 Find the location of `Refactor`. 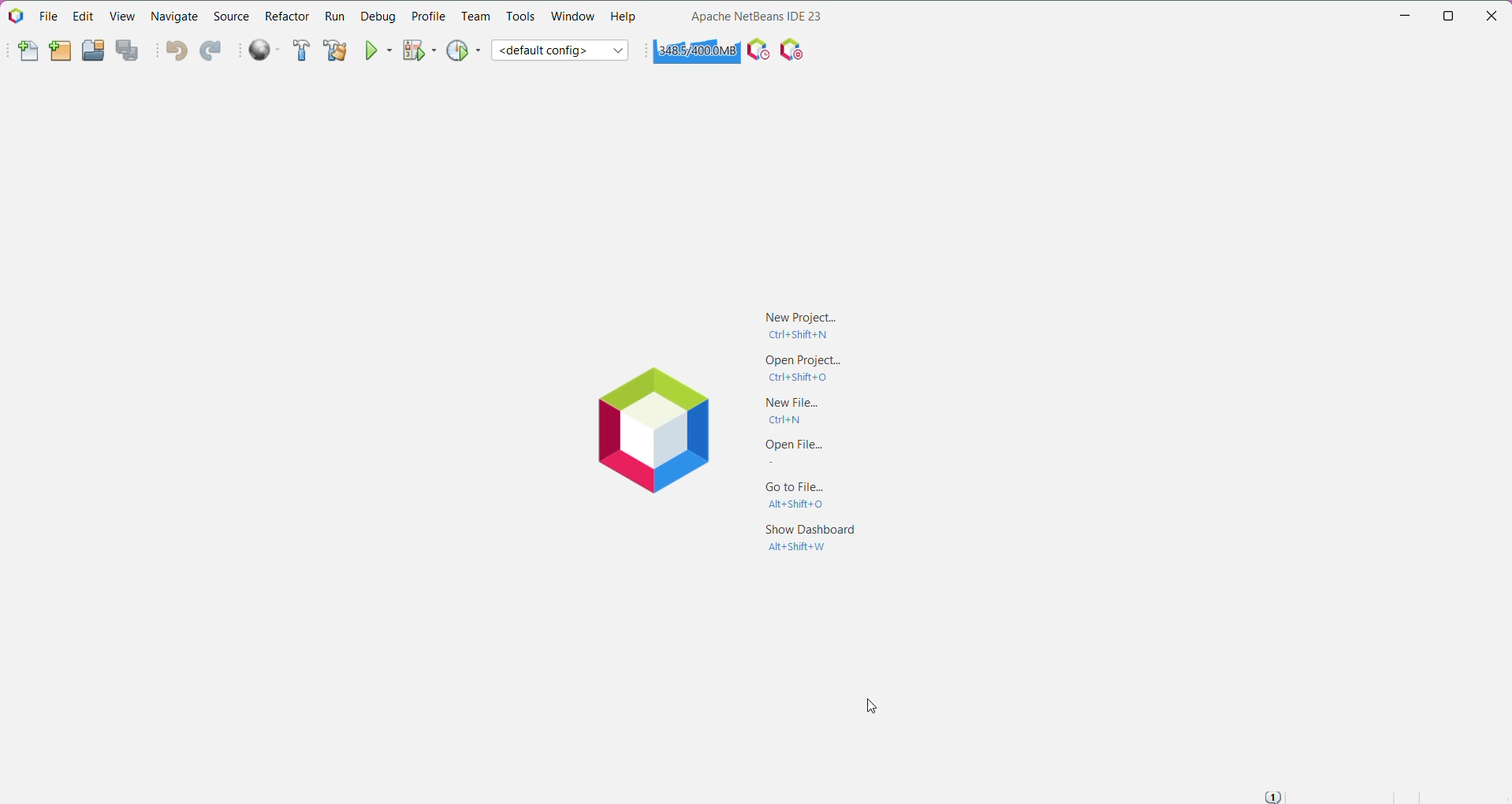

Refactor is located at coordinates (287, 16).